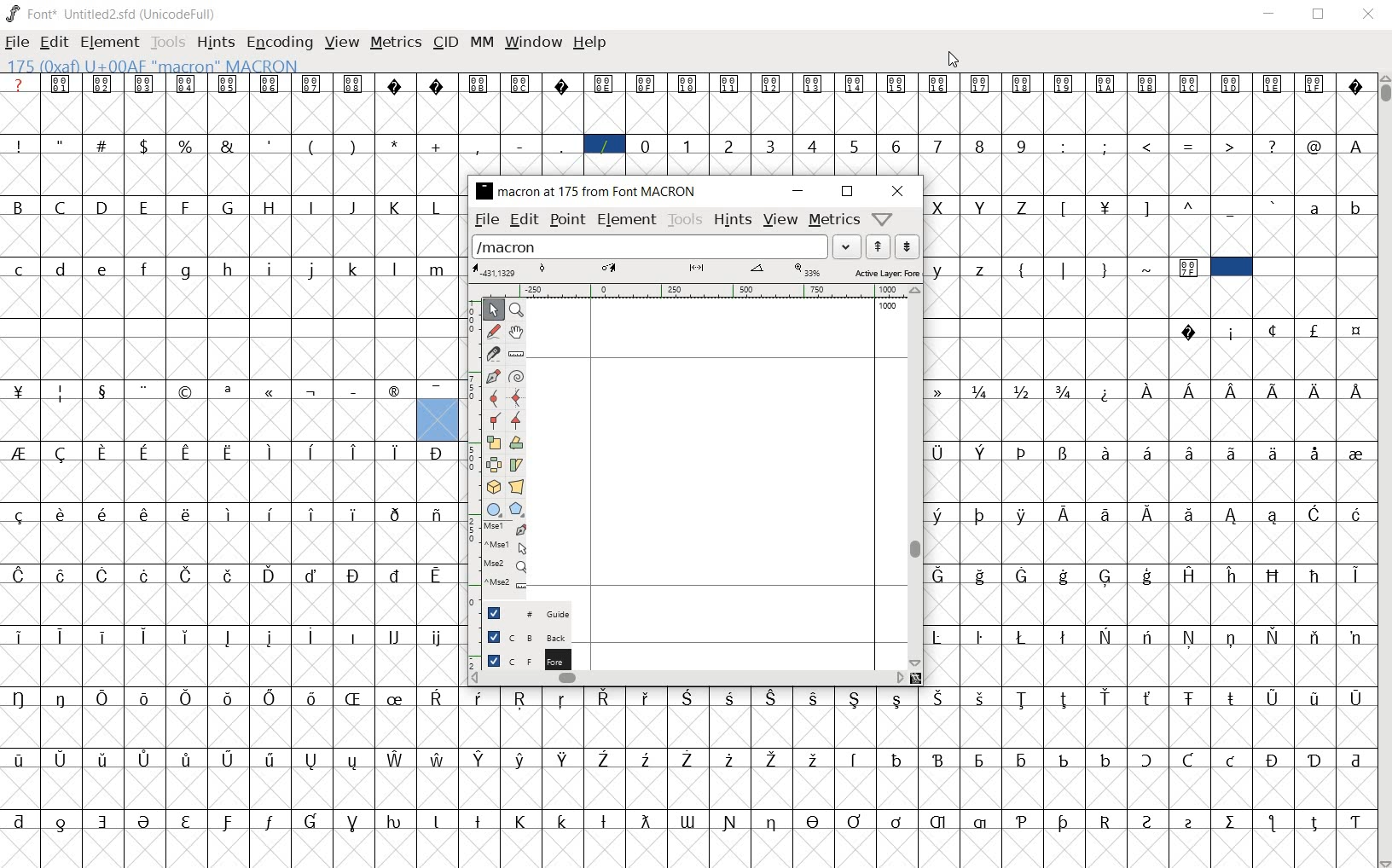  I want to click on Symbol, so click(604, 84).